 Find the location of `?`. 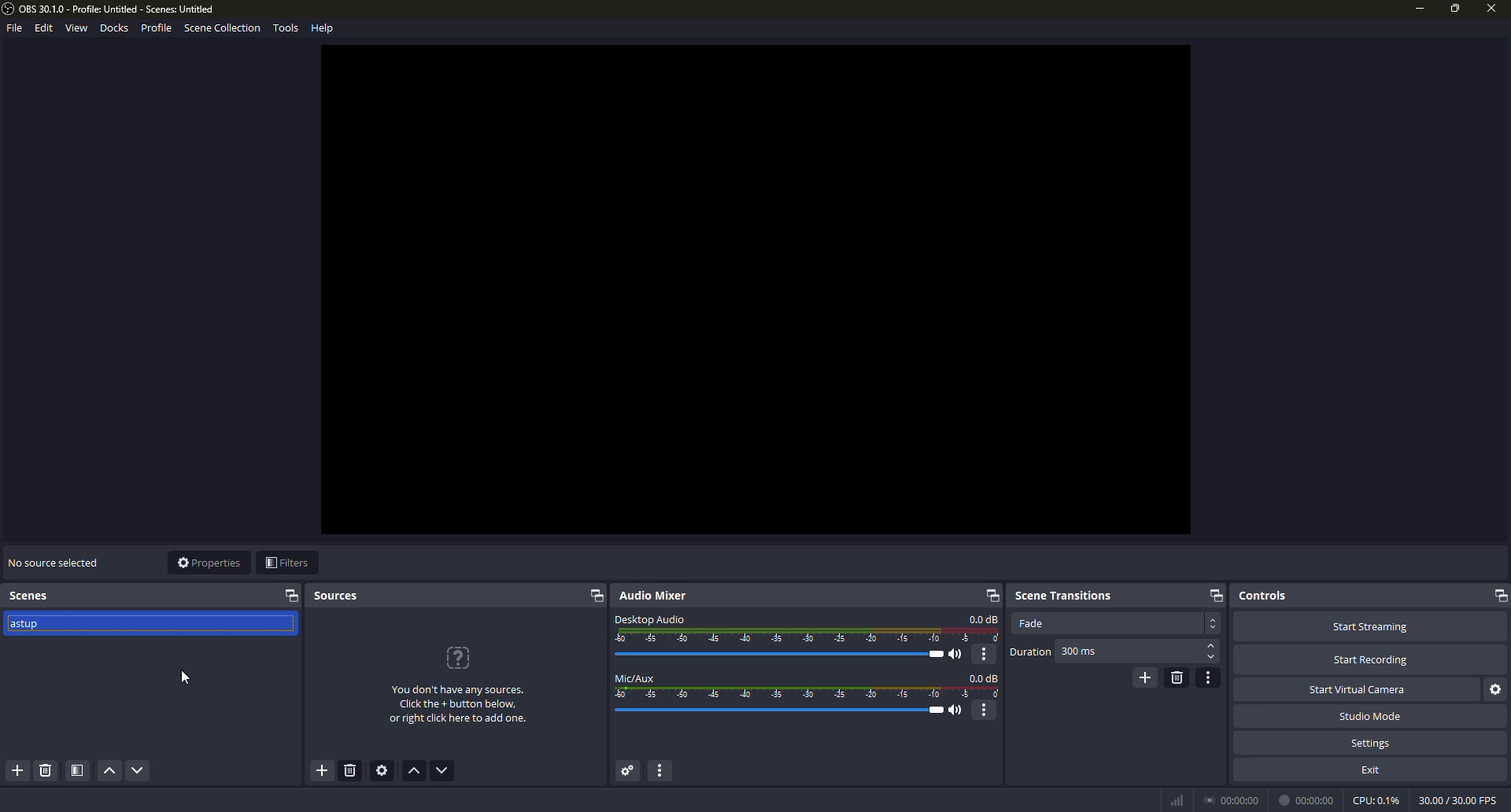

? is located at coordinates (460, 658).